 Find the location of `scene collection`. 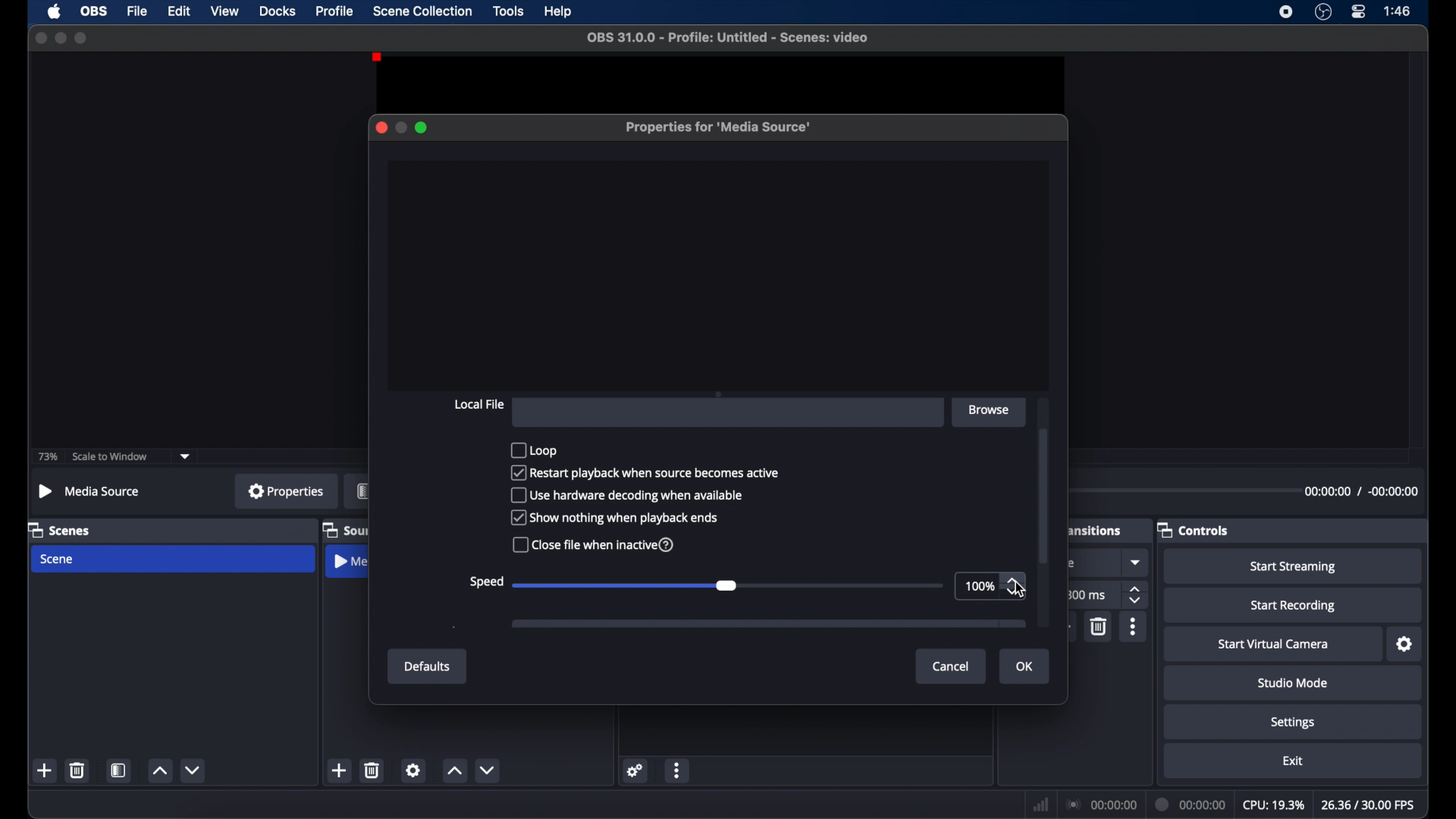

scene collection is located at coordinates (424, 11).